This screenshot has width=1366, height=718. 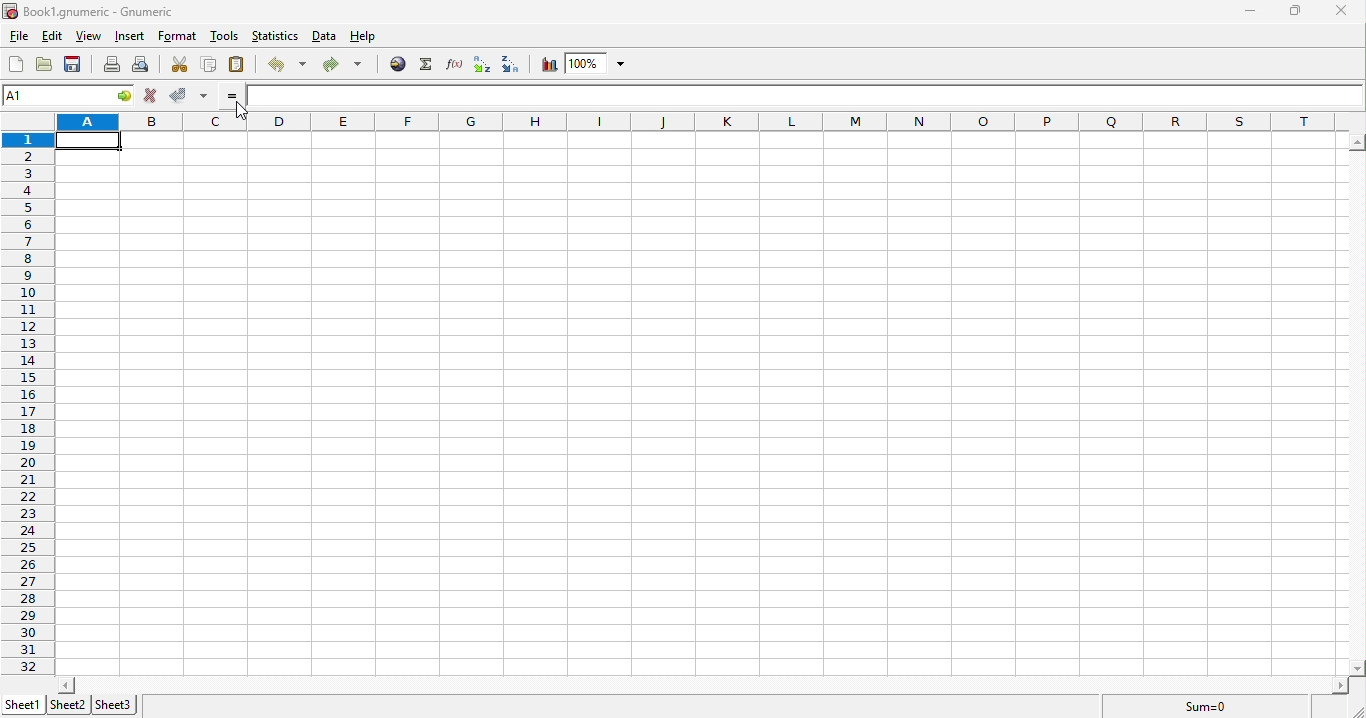 I want to click on print preview, so click(x=143, y=66).